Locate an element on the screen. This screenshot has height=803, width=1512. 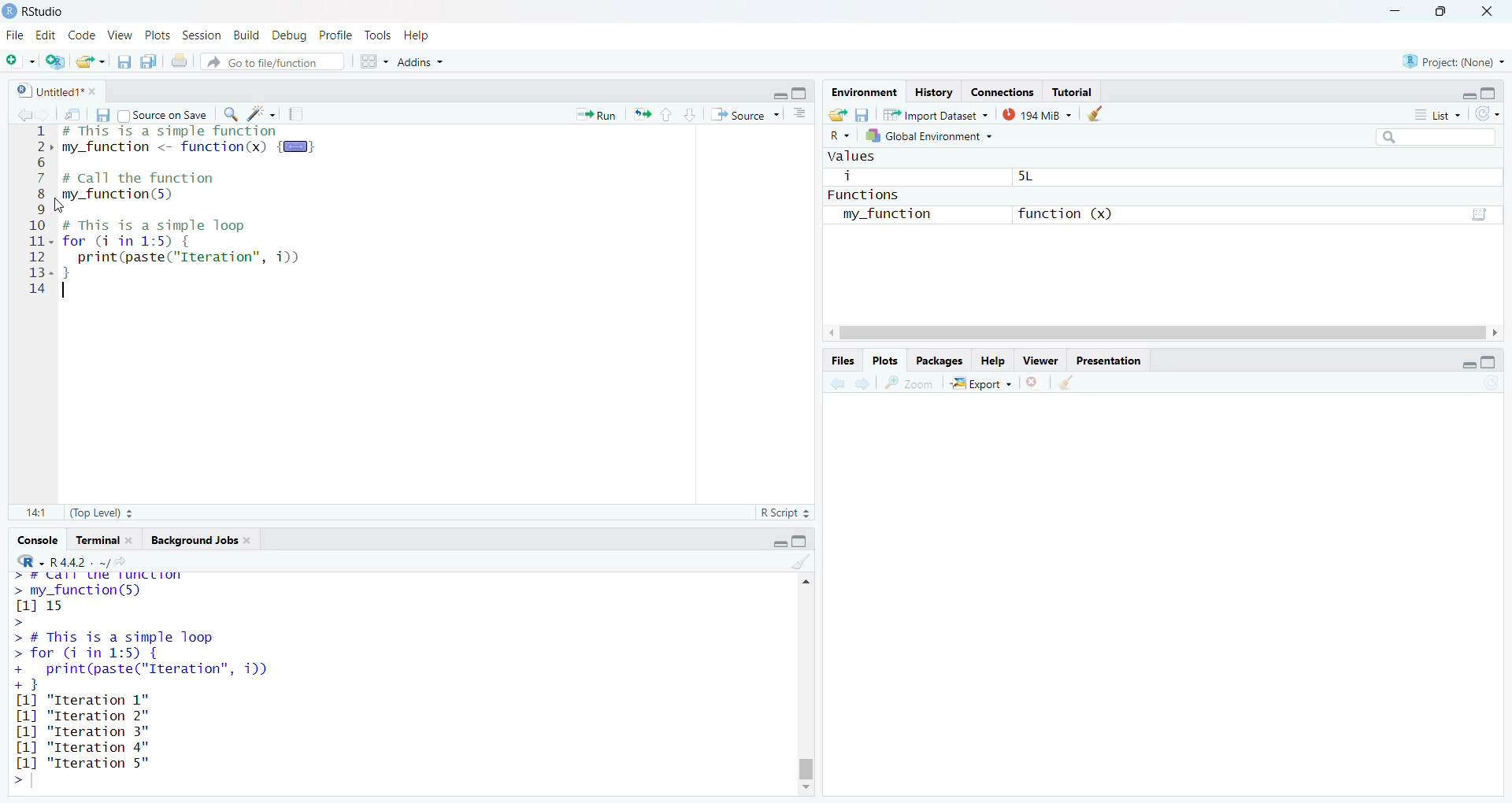
plots is located at coordinates (156, 34).